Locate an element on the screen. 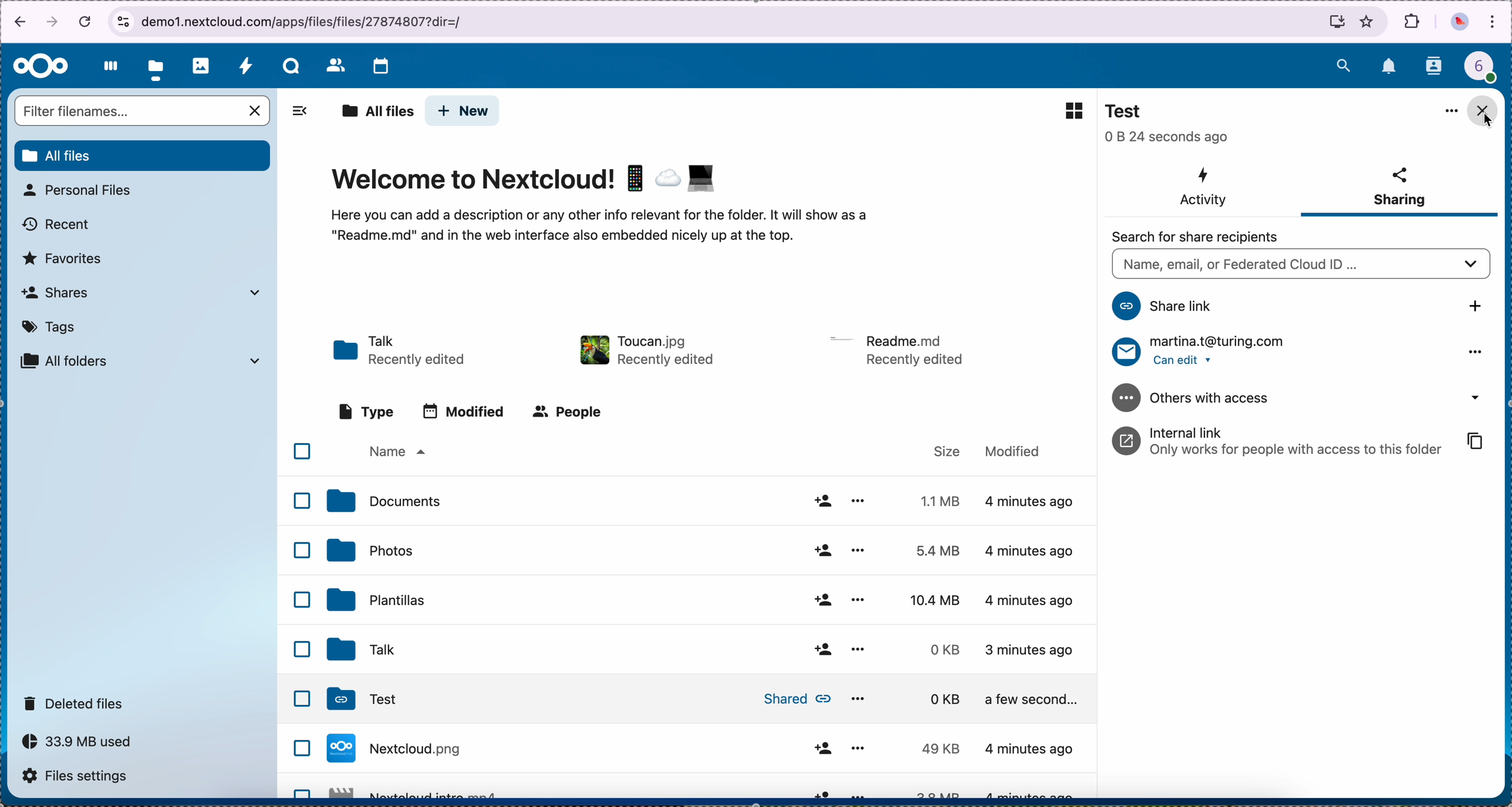 The height and width of the screenshot is (807, 1512). contacts is located at coordinates (335, 65).